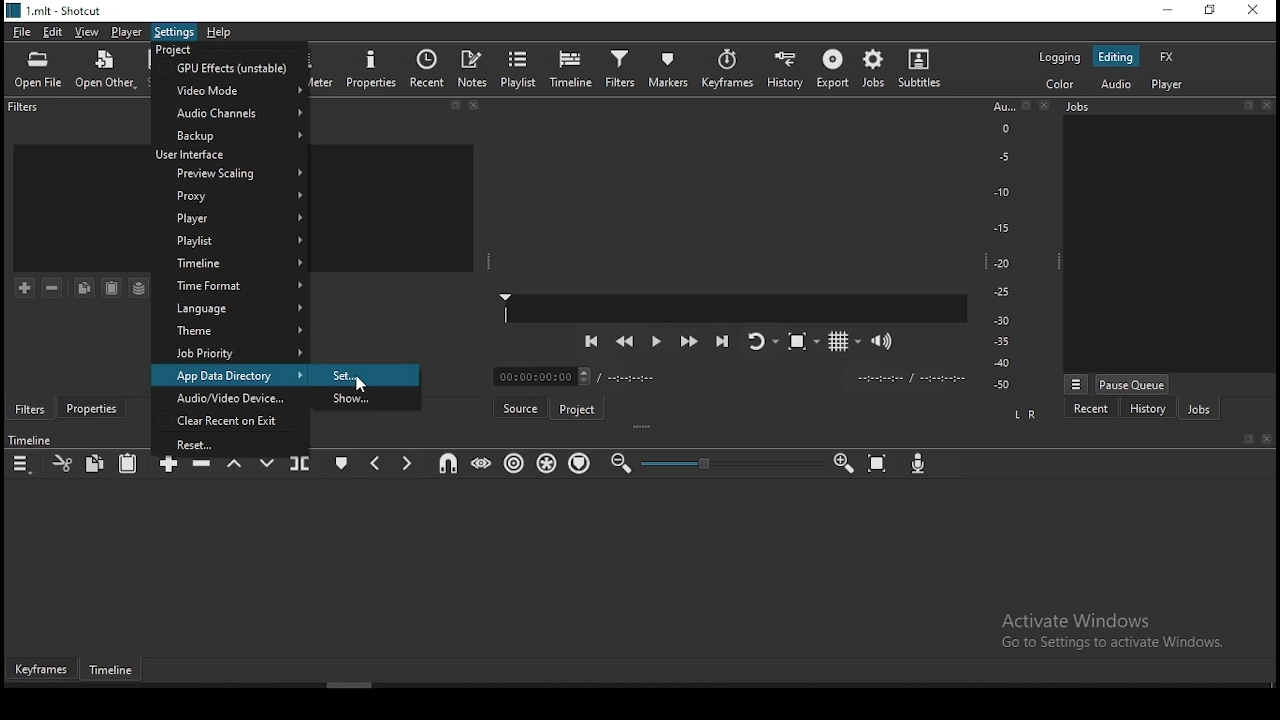  What do you see at coordinates (22, 462) in the screenshot?
I see `timeline menu` at bounding box center [22, 462].